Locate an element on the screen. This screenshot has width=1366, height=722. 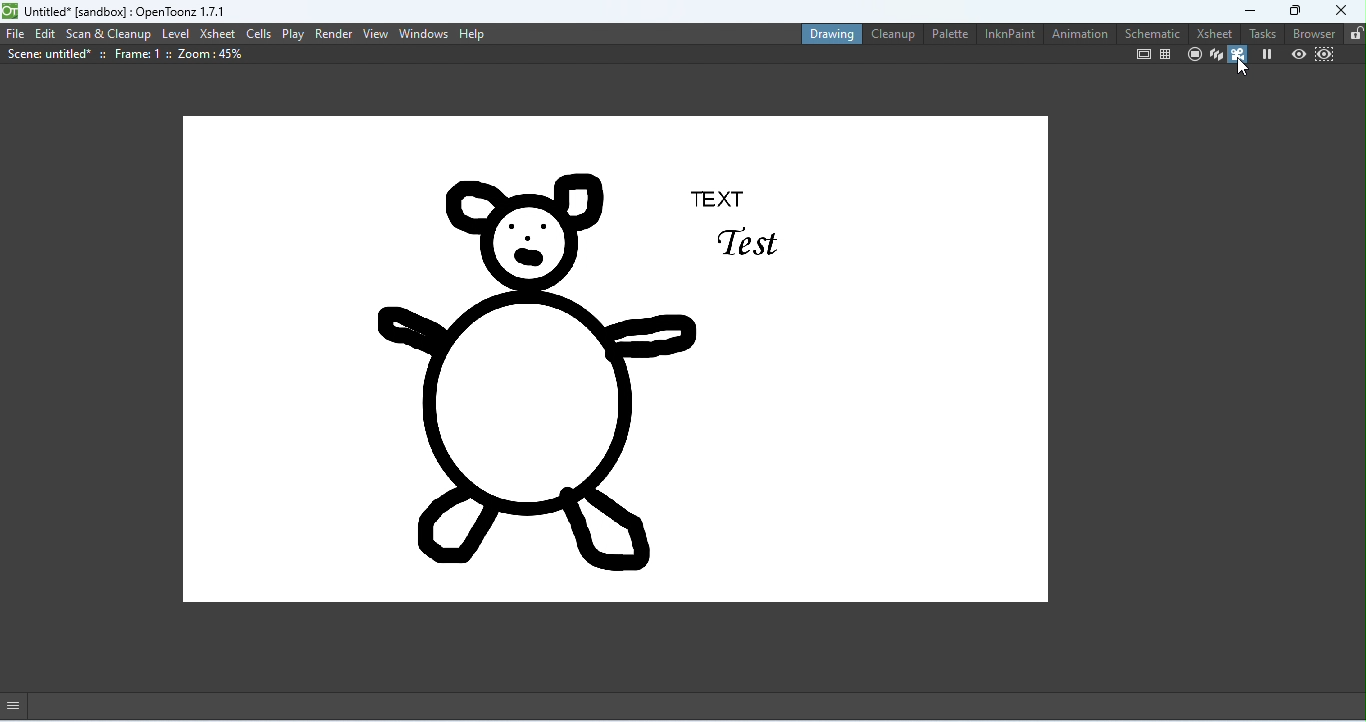
camera view is located at coordinates (1238, 56).